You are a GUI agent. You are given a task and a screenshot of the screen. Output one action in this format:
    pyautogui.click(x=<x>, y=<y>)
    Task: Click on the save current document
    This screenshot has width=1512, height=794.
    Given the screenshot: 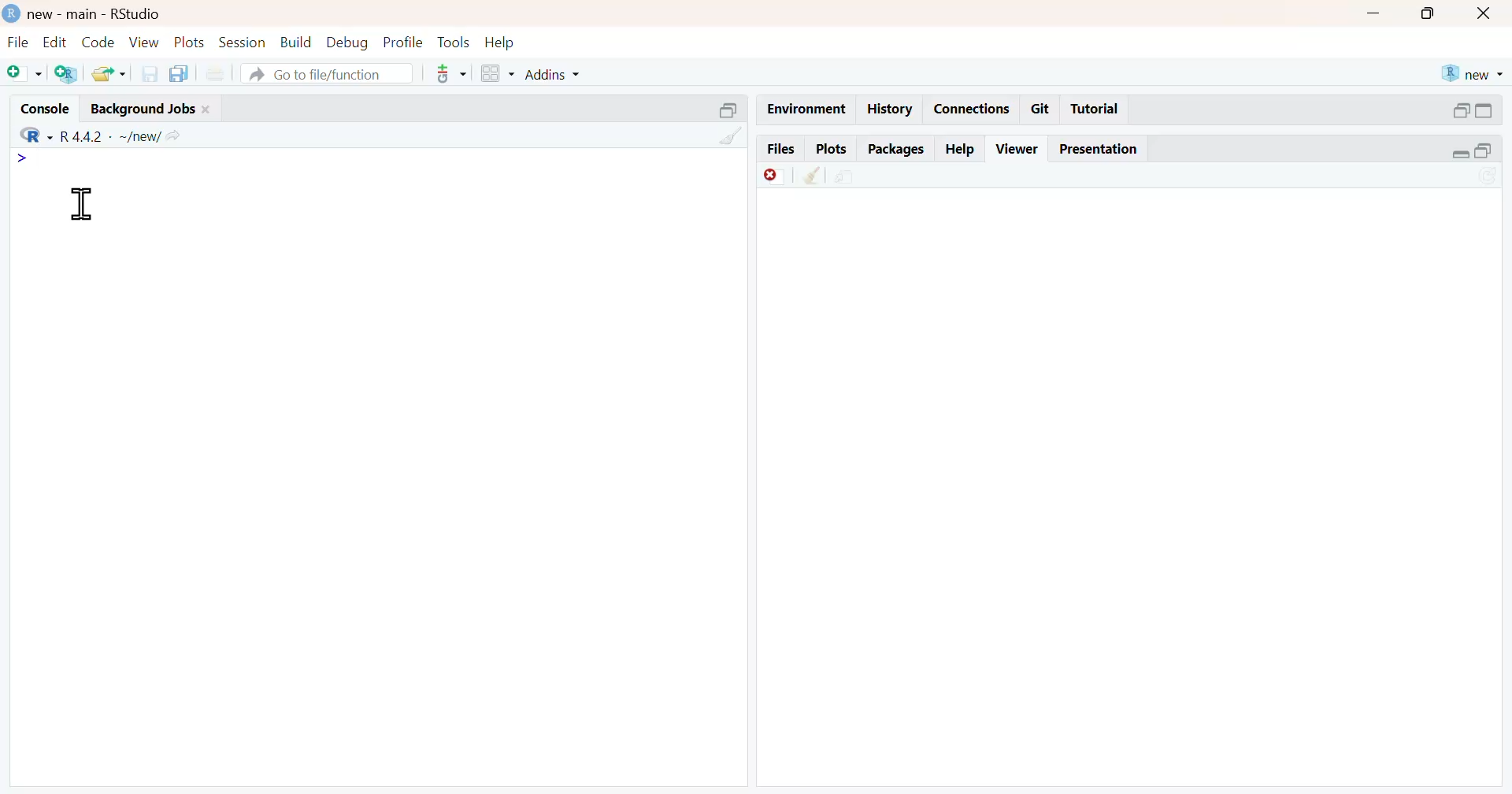 What is the action you would take?
    pyautogui.click(x=152, y=75)
    